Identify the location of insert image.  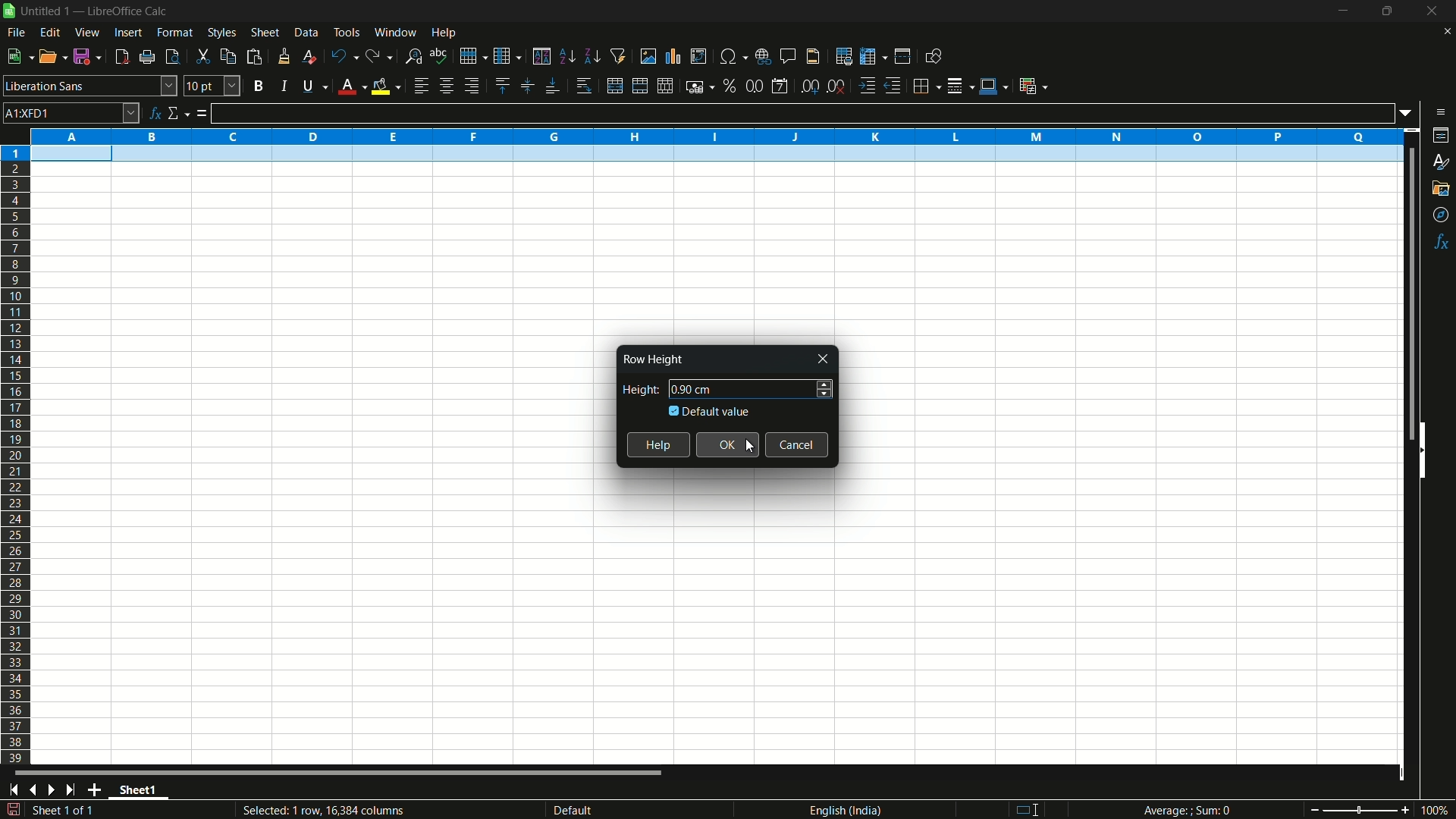
(648, 55).